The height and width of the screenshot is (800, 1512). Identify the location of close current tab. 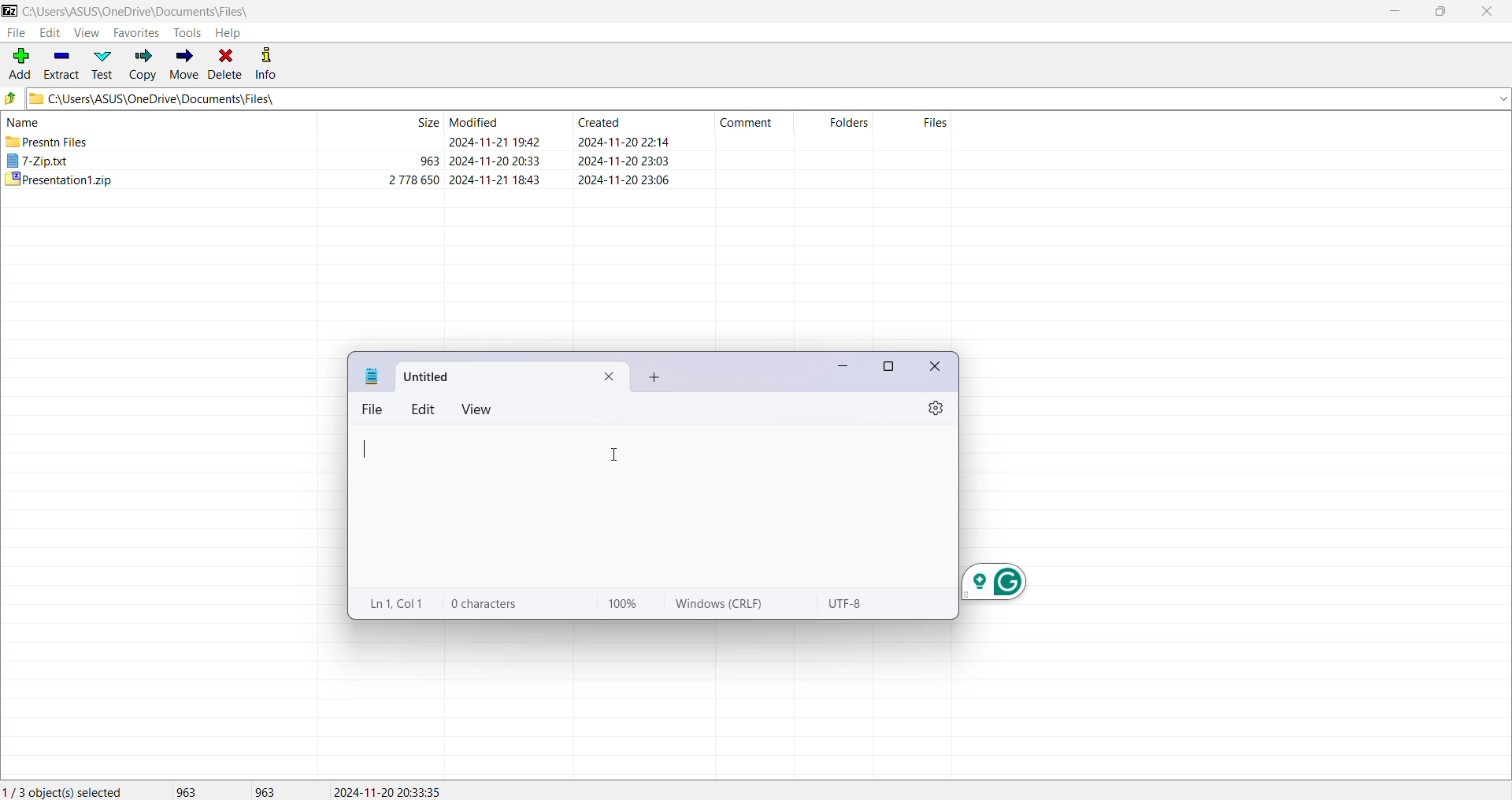
(609, 376).